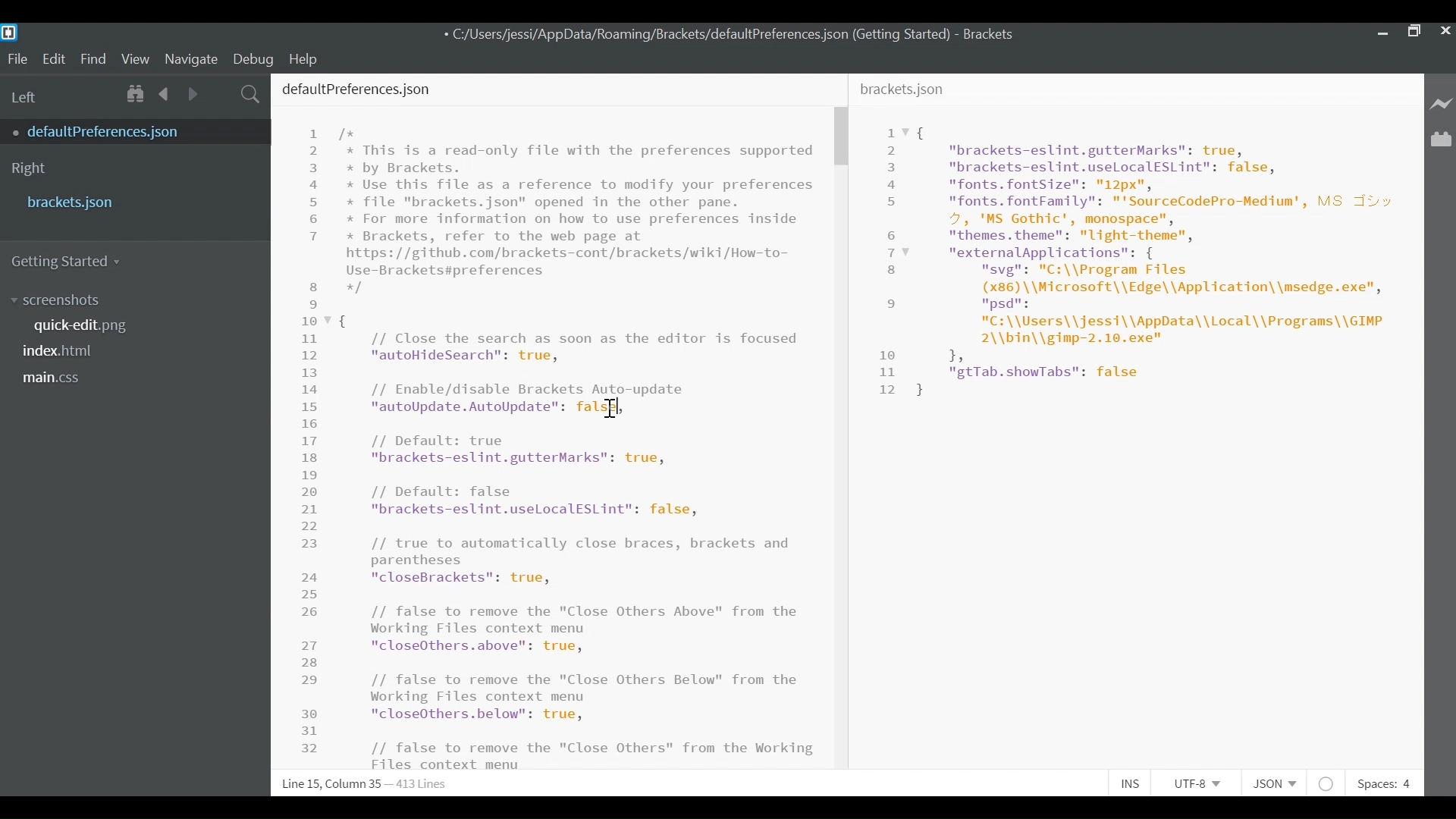 Image resolution: width=1456 pixels, height=819 pixels. What do you see at coordinates (551, 421) in the screenshot?
I see `defaultPrefereces.json File Editor` at bounding box center [551, 421].